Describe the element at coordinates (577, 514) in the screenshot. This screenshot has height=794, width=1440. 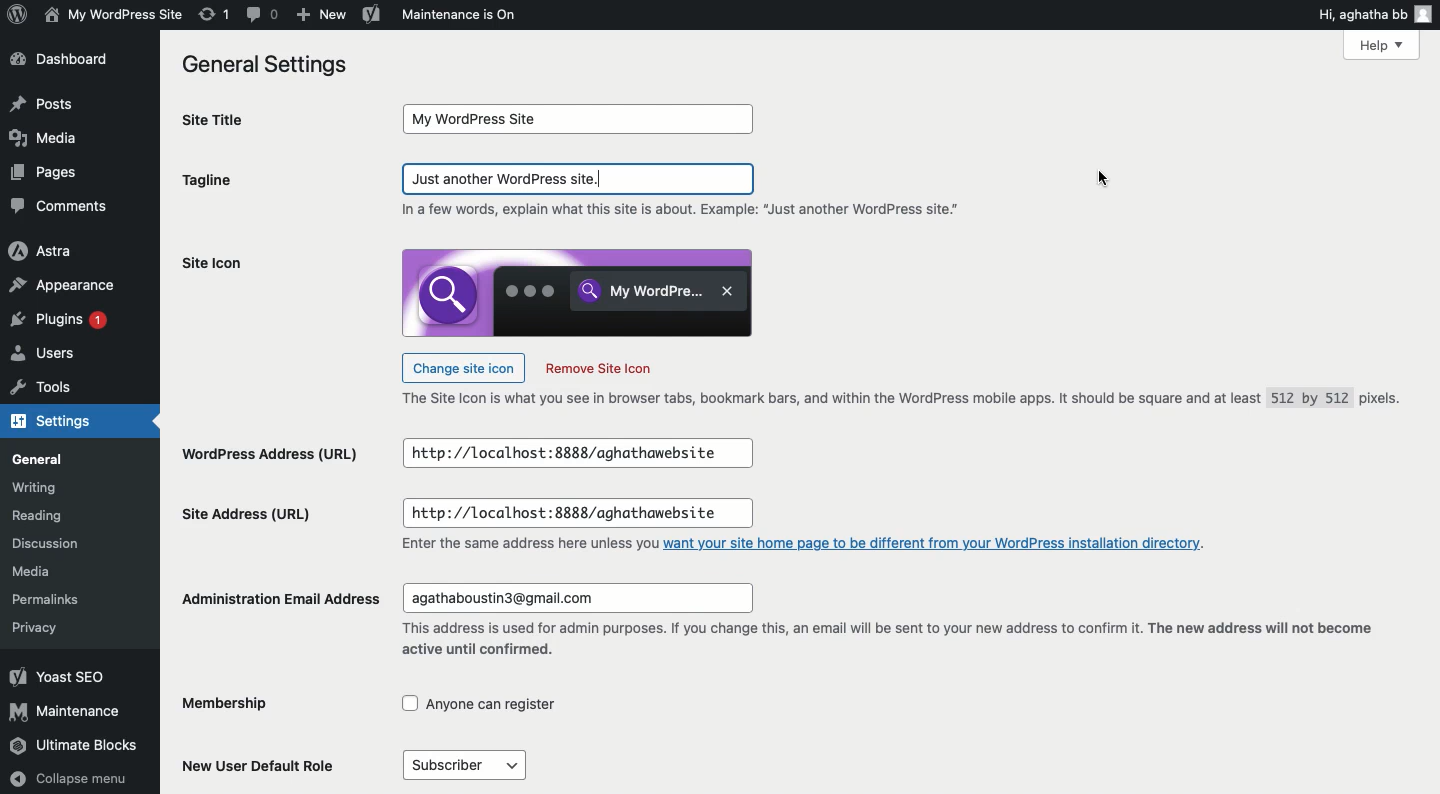
I see `input box` at that location.